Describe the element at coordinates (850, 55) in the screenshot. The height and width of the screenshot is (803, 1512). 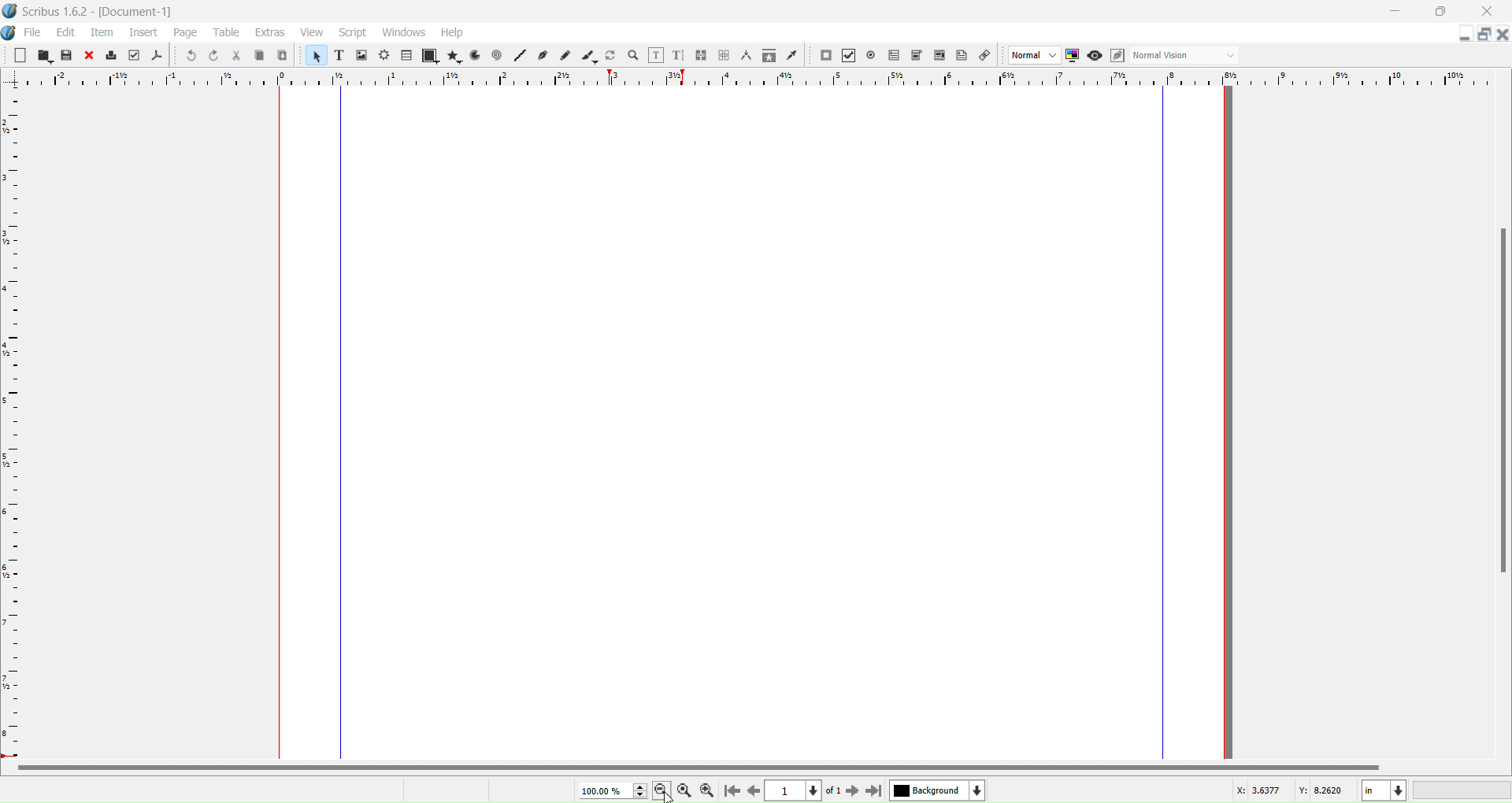
I see `PDF Check Box` at that location.